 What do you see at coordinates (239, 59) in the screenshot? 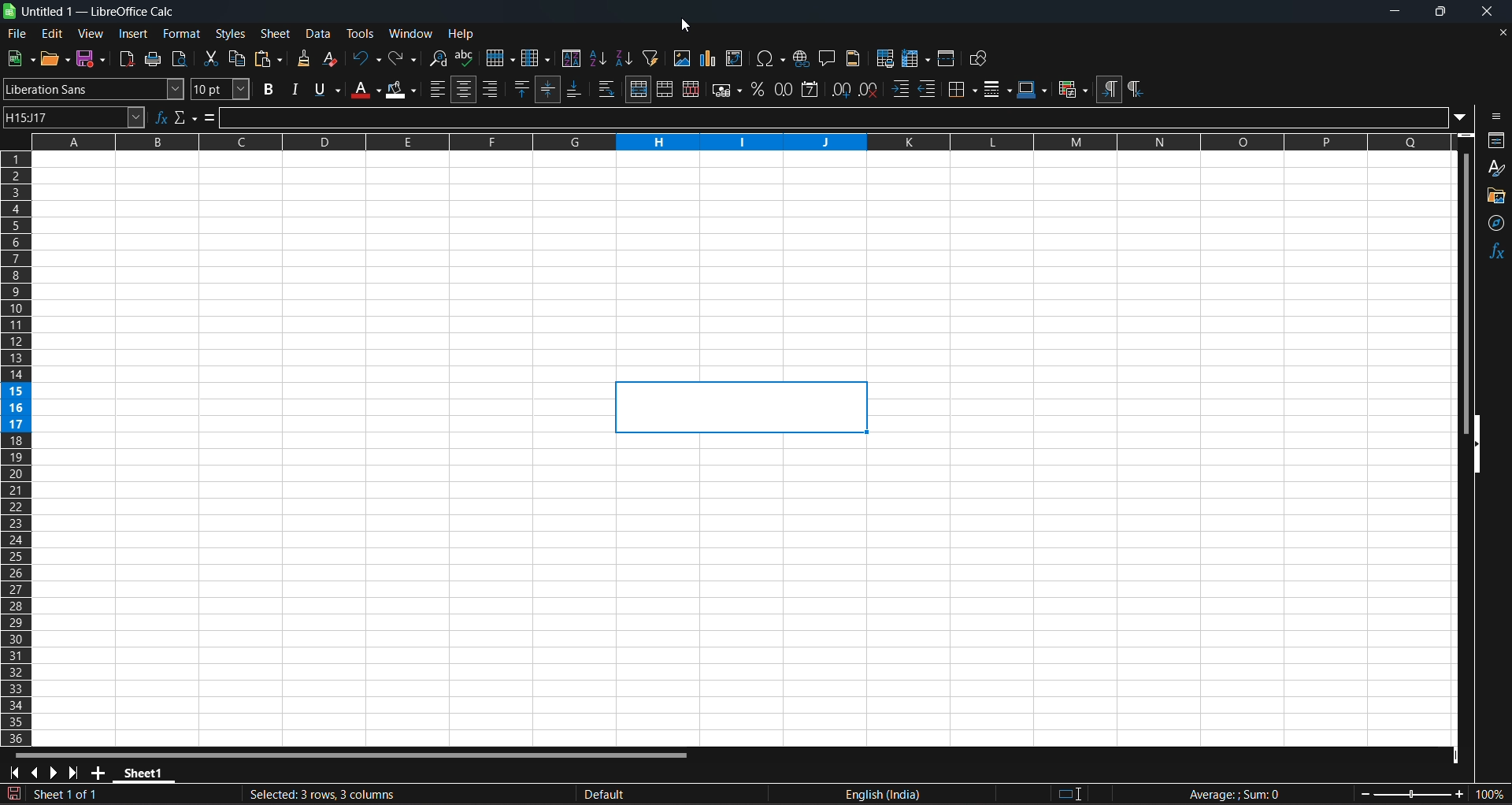
I see `copy` at bounding box center [239, 59].